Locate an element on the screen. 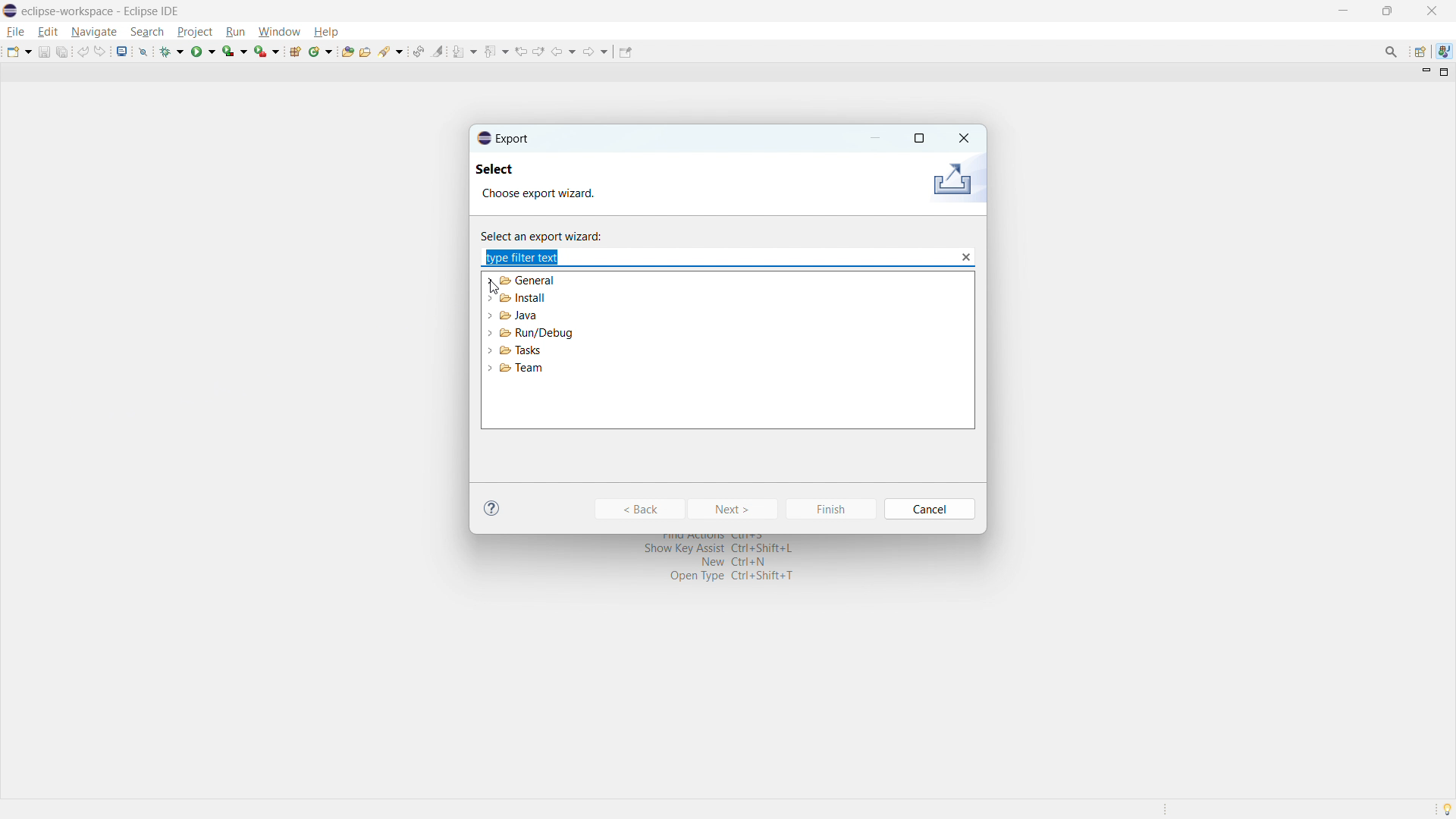 This screenshot has height=819, width=1456. expand general is located at coordinates (491, 280).